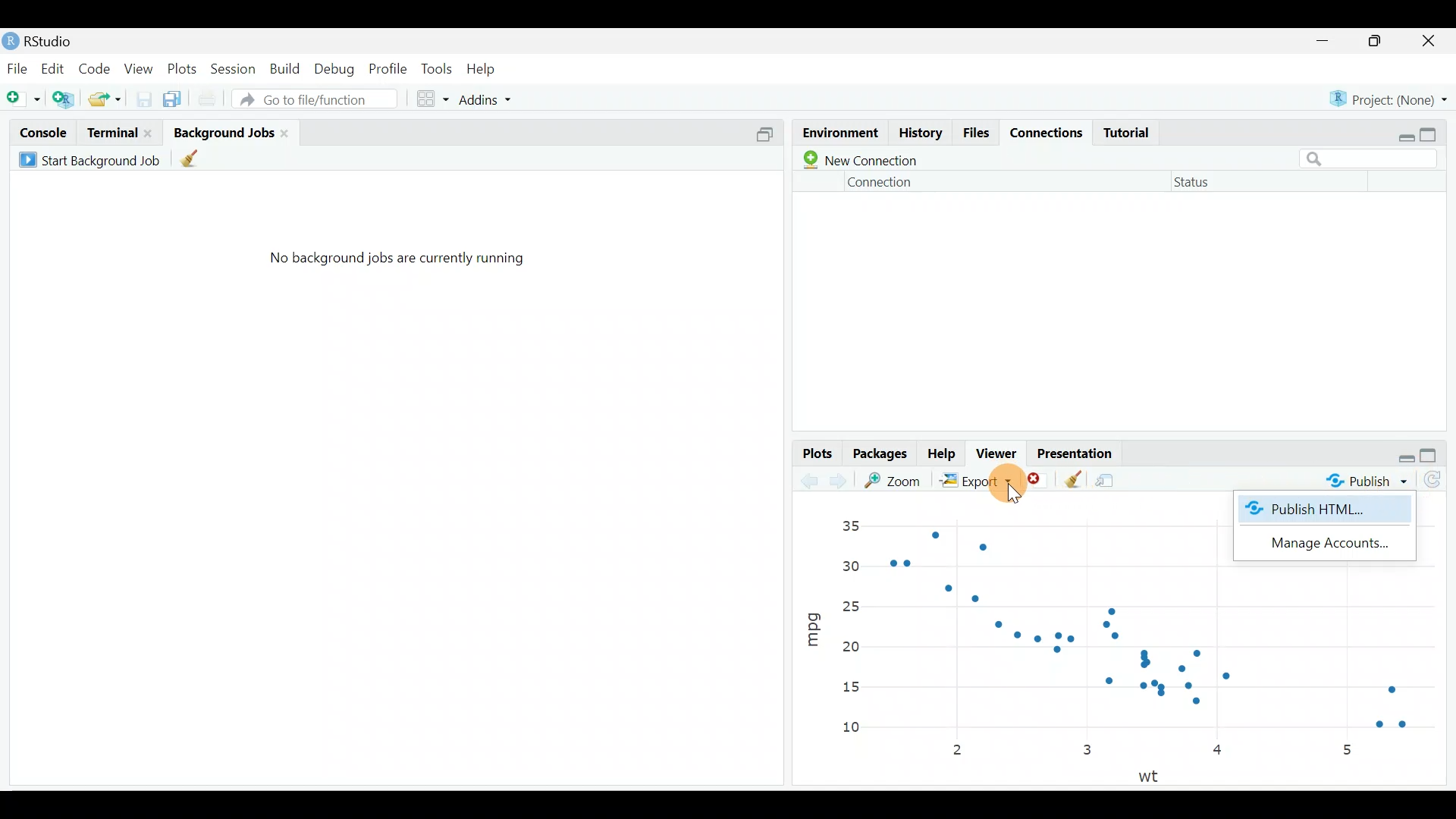 This screenshot has height=819, width=1456. What do you see at coordinates (1220, 752) in the screenshot?
I see `4` at bounding box center [1220, 752].